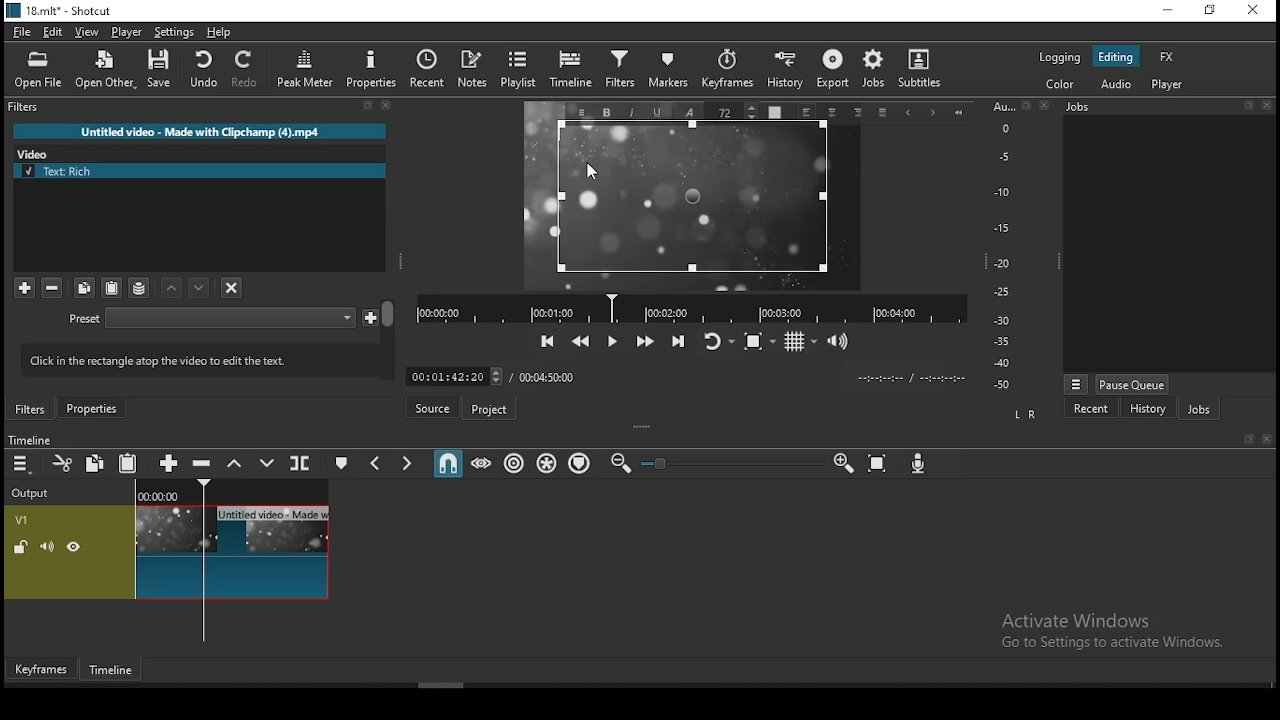 The image size is (1280, 720). I want to click on view, so click(87, 33).